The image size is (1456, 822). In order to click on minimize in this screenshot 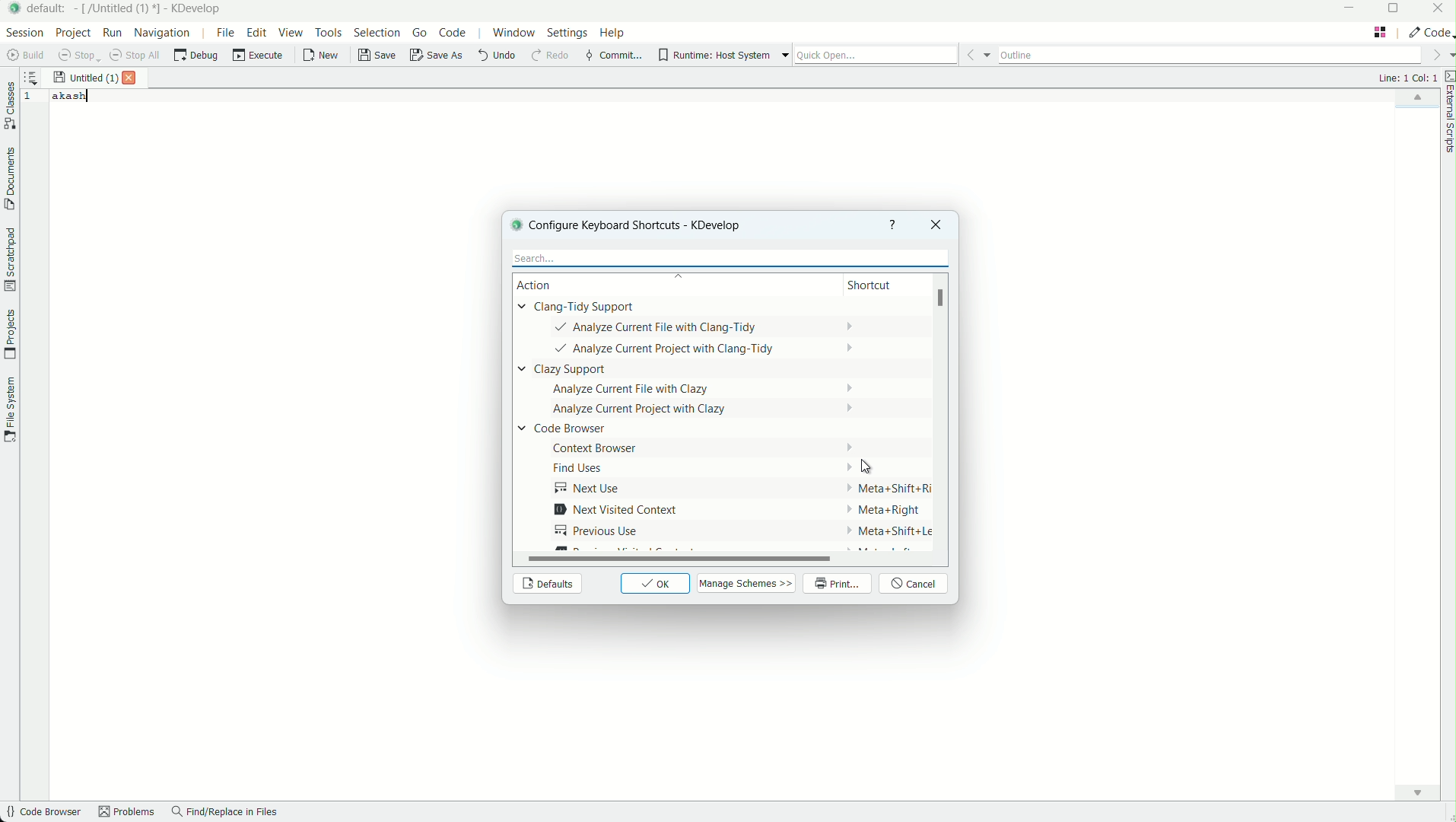, I will do `click(1350, 9)`.